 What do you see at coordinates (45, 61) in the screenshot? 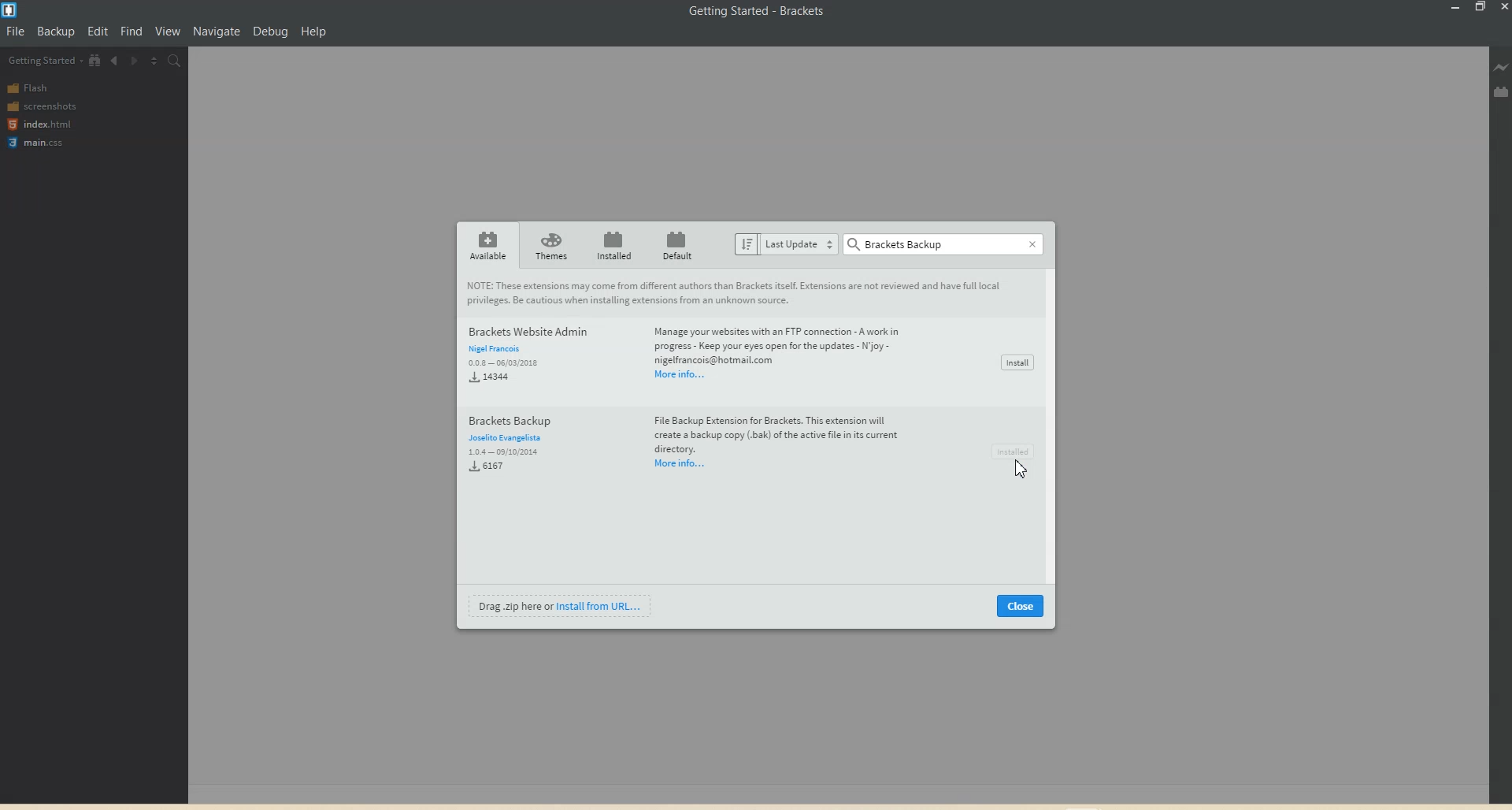
I see `Getting Started` at bounding box center [45, 61].